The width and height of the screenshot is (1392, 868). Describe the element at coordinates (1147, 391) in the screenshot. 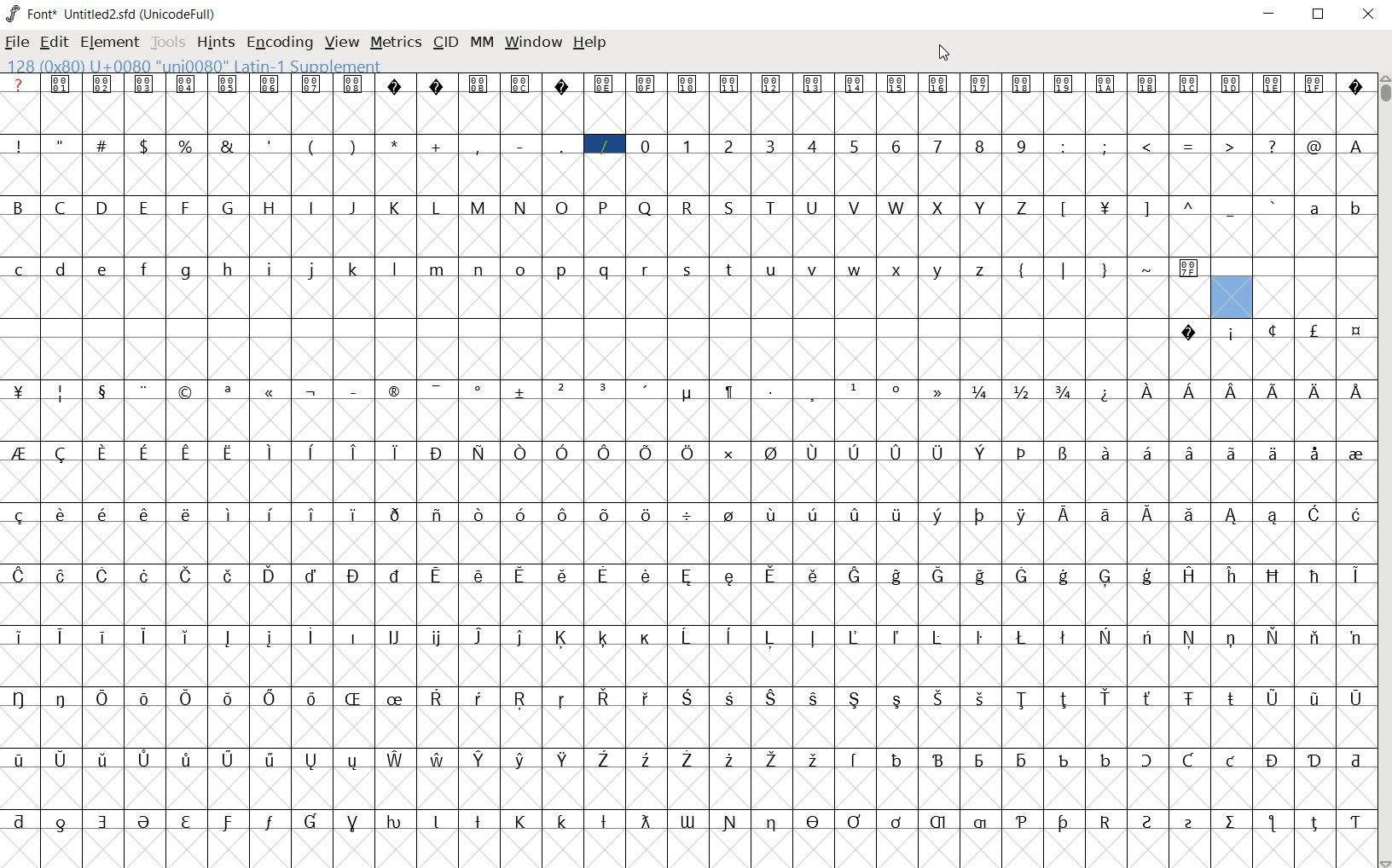

I see `glyph` at that location.